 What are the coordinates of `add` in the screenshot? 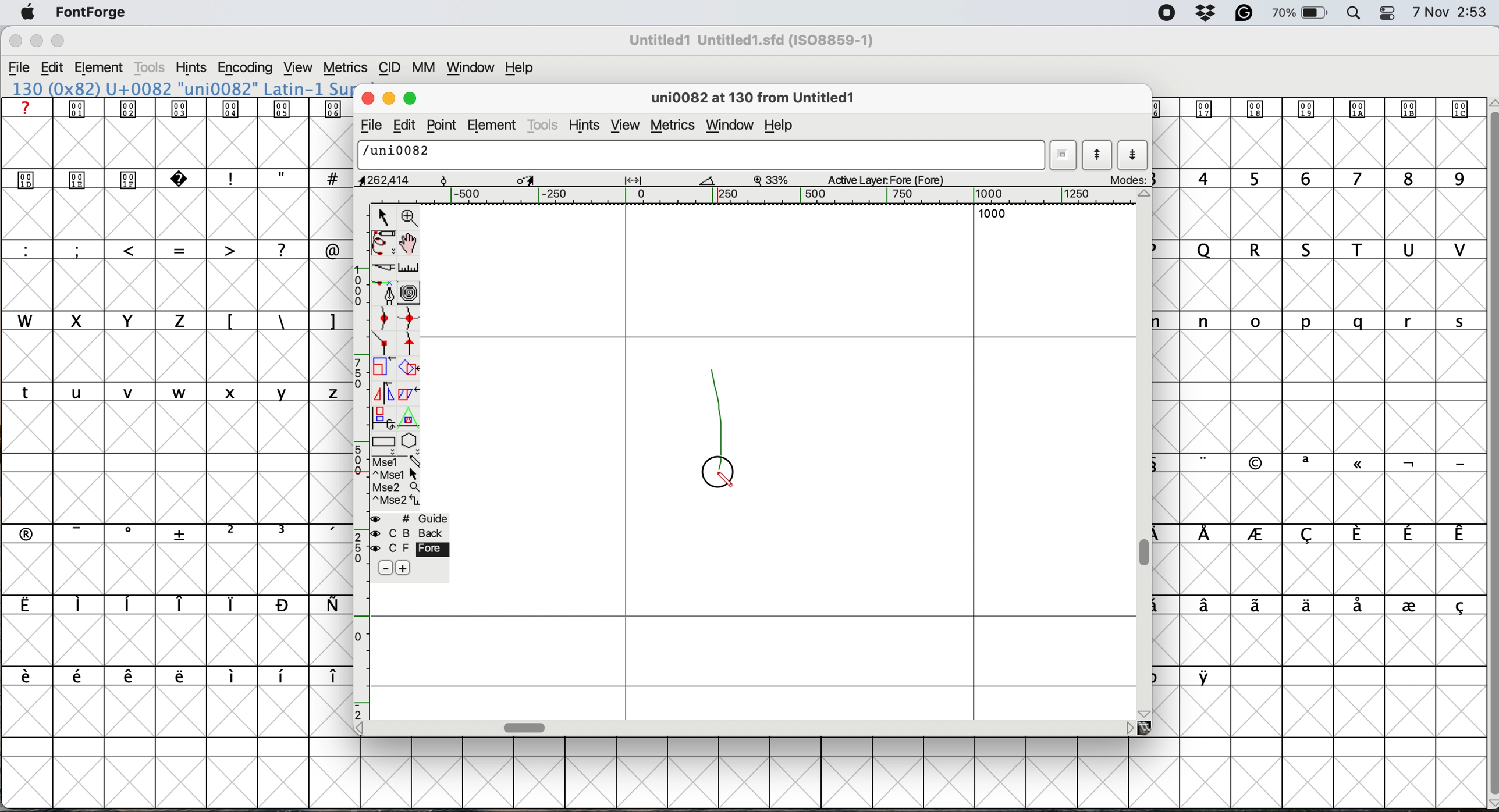 It's located at (403, 567).